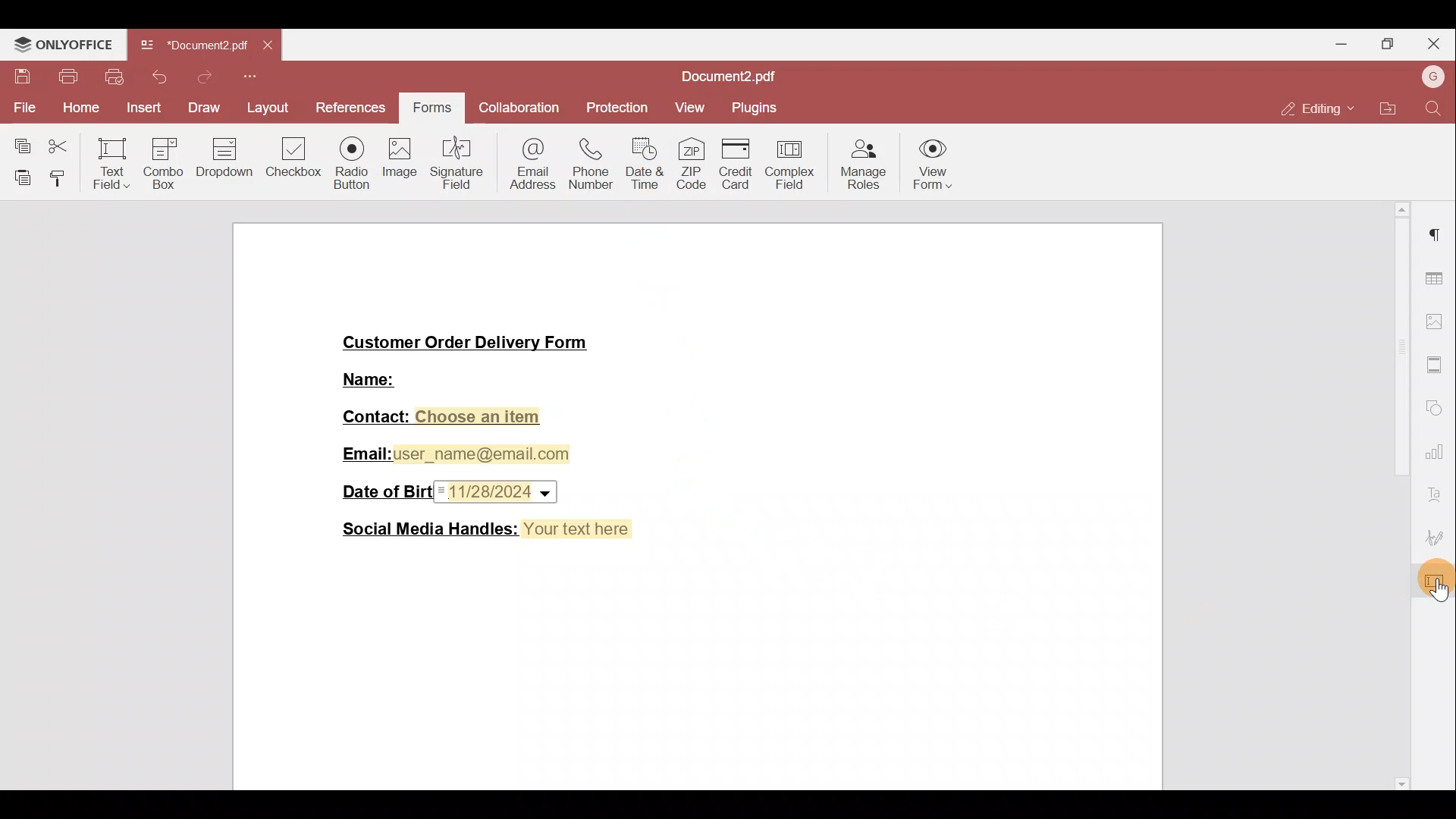 The height and width of the screenshot is (819, 1456). Describe the element at coordinates (1438, 279) in the screenshot. I see `Table settings` at that location.